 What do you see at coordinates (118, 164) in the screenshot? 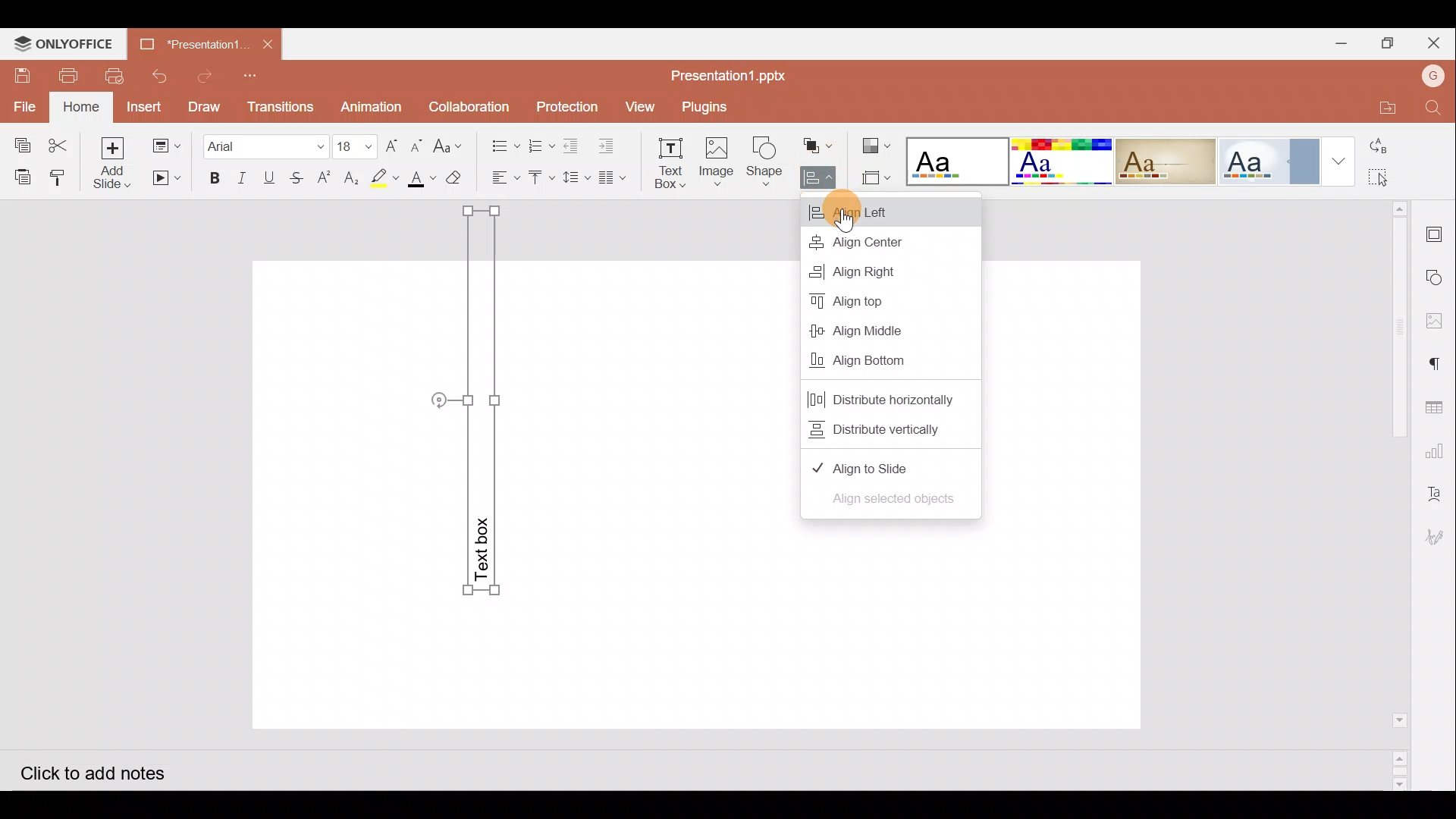
I see `Add slide` at bounding box center [118, 164].